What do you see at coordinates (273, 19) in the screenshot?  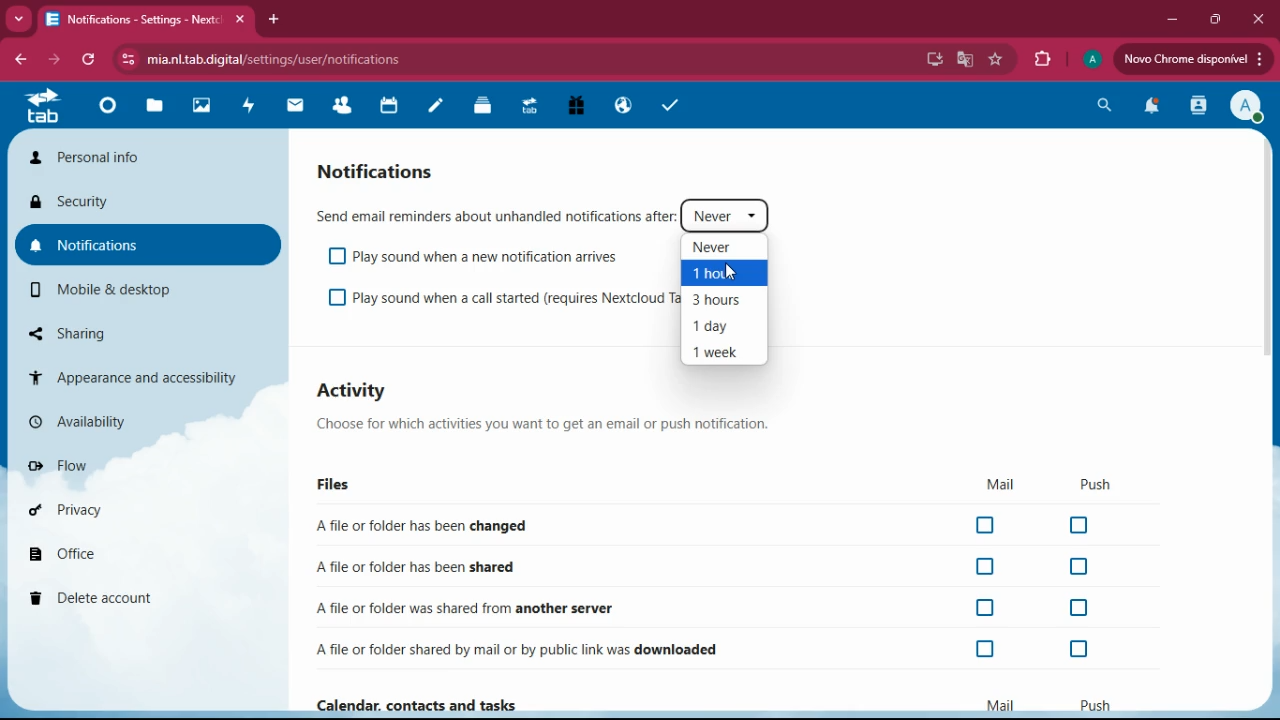 I see `` at bounding box center [273, 19].